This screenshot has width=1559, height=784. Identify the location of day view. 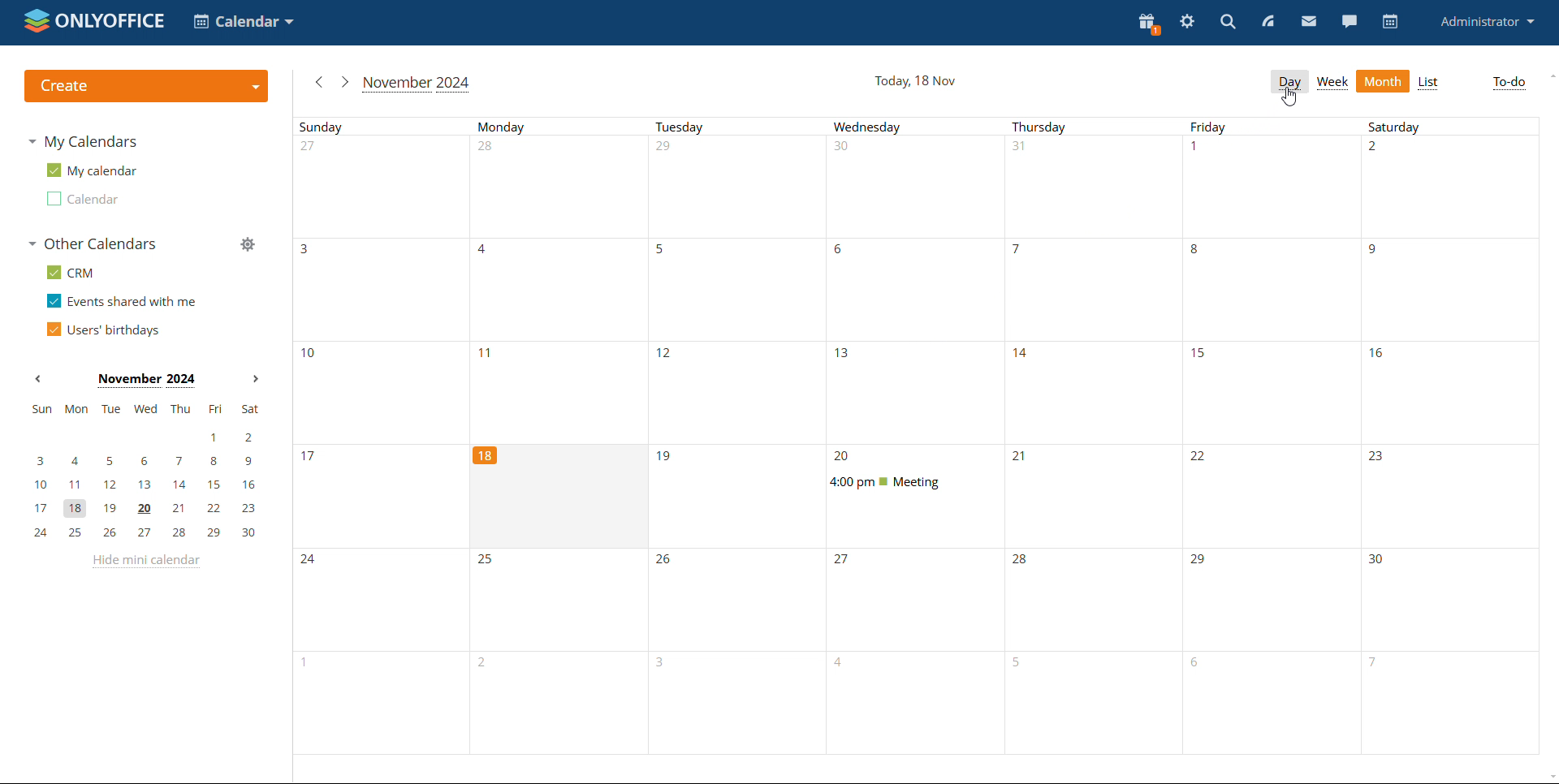
(1289, 81).